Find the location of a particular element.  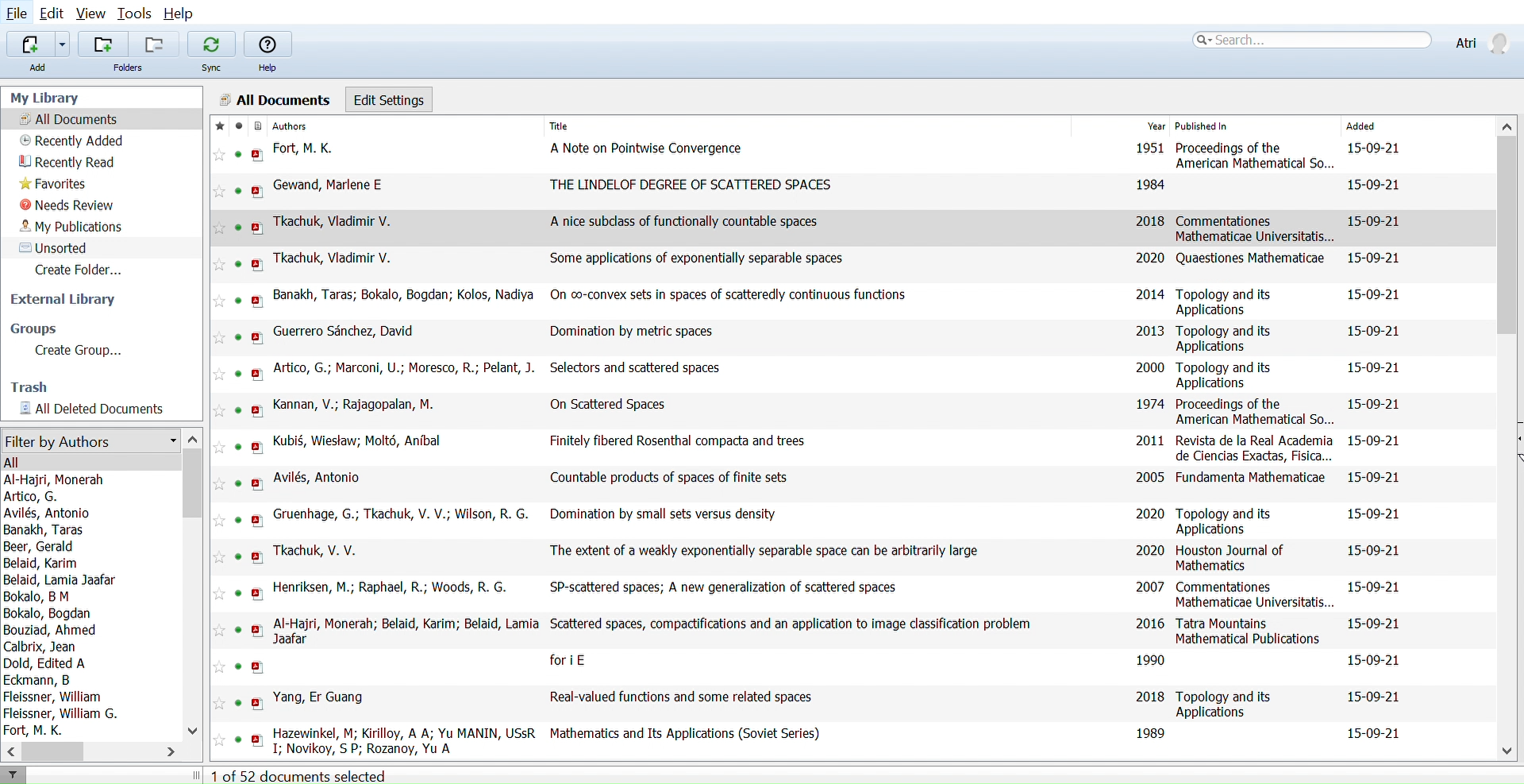

Mark as favorite is located at coordinates (217, 126).